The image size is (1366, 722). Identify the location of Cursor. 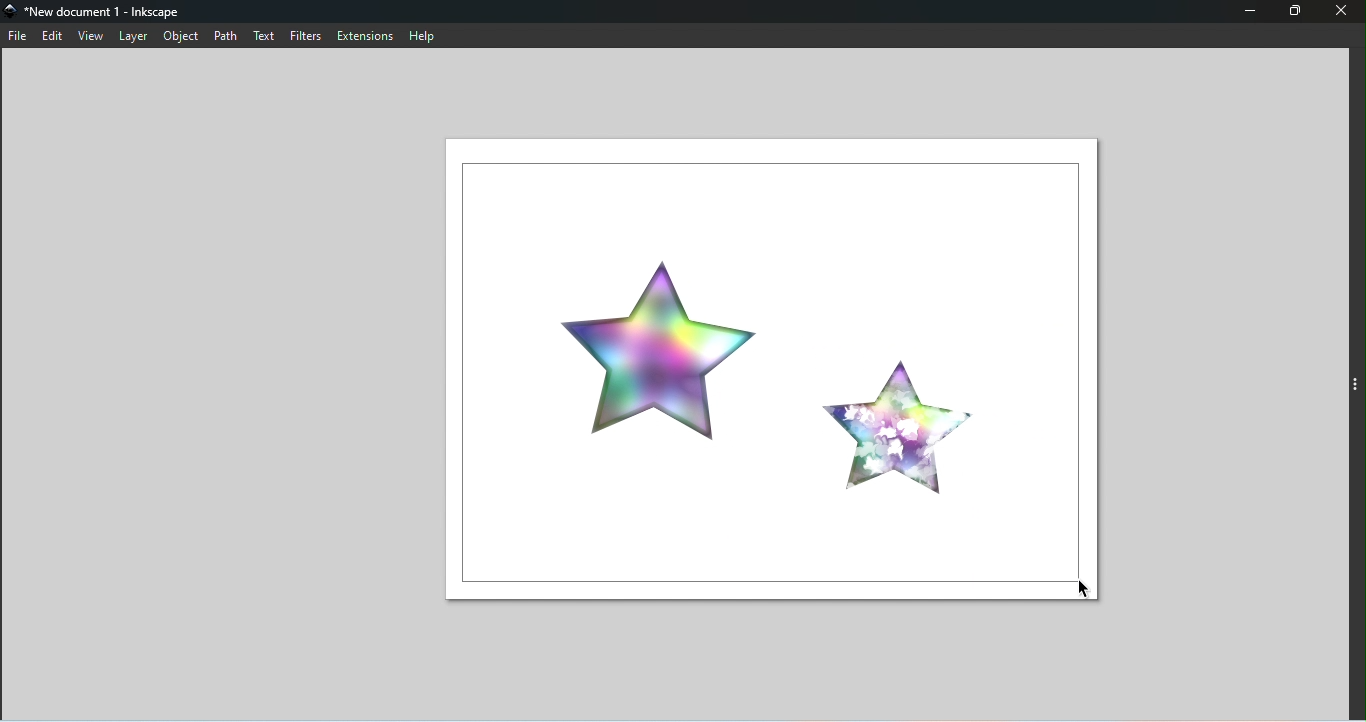
(1081, 588).